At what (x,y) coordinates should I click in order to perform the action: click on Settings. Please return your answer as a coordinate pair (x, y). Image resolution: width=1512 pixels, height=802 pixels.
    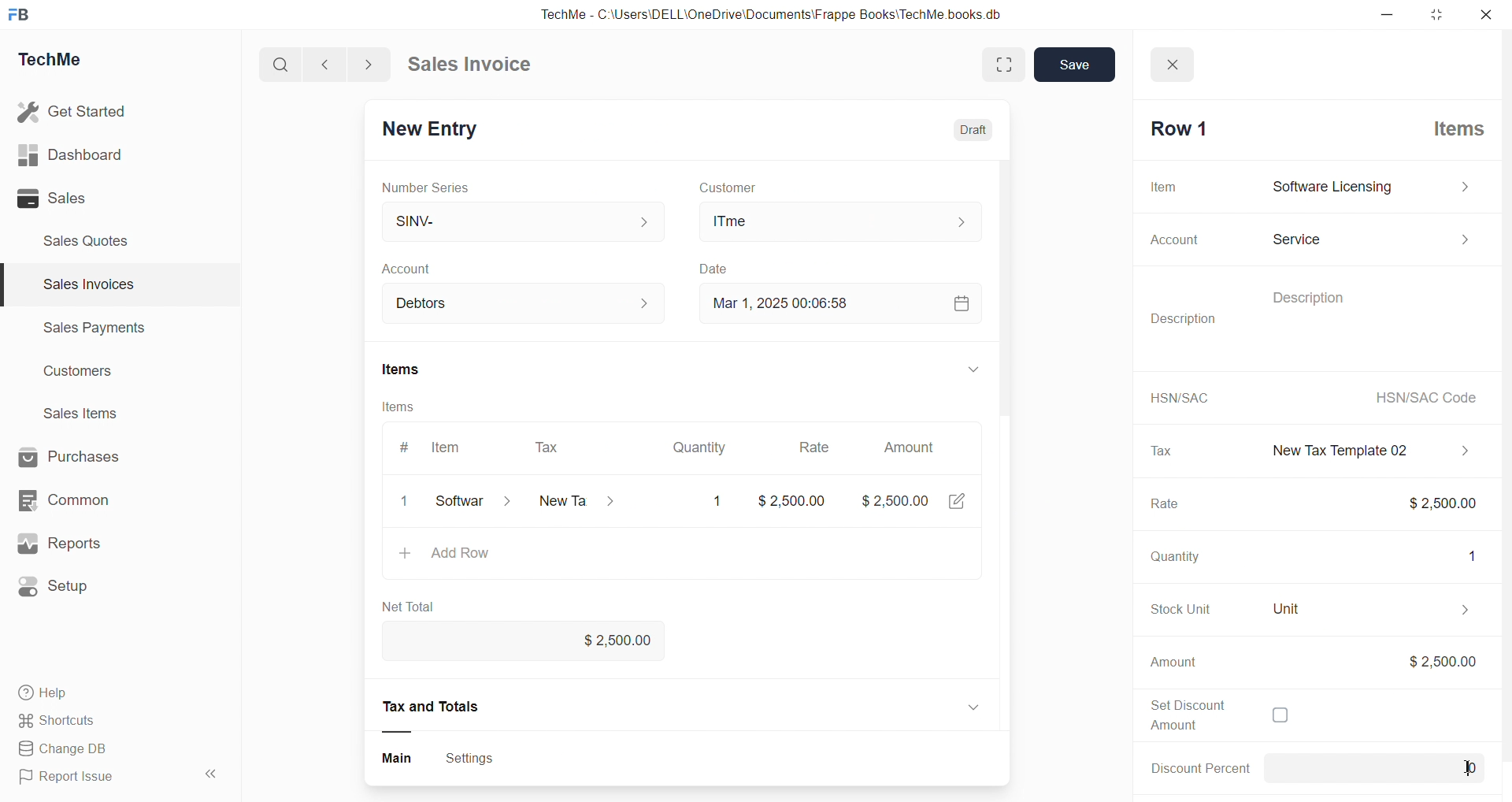
    Looking at the image, I should click on (476, 757).